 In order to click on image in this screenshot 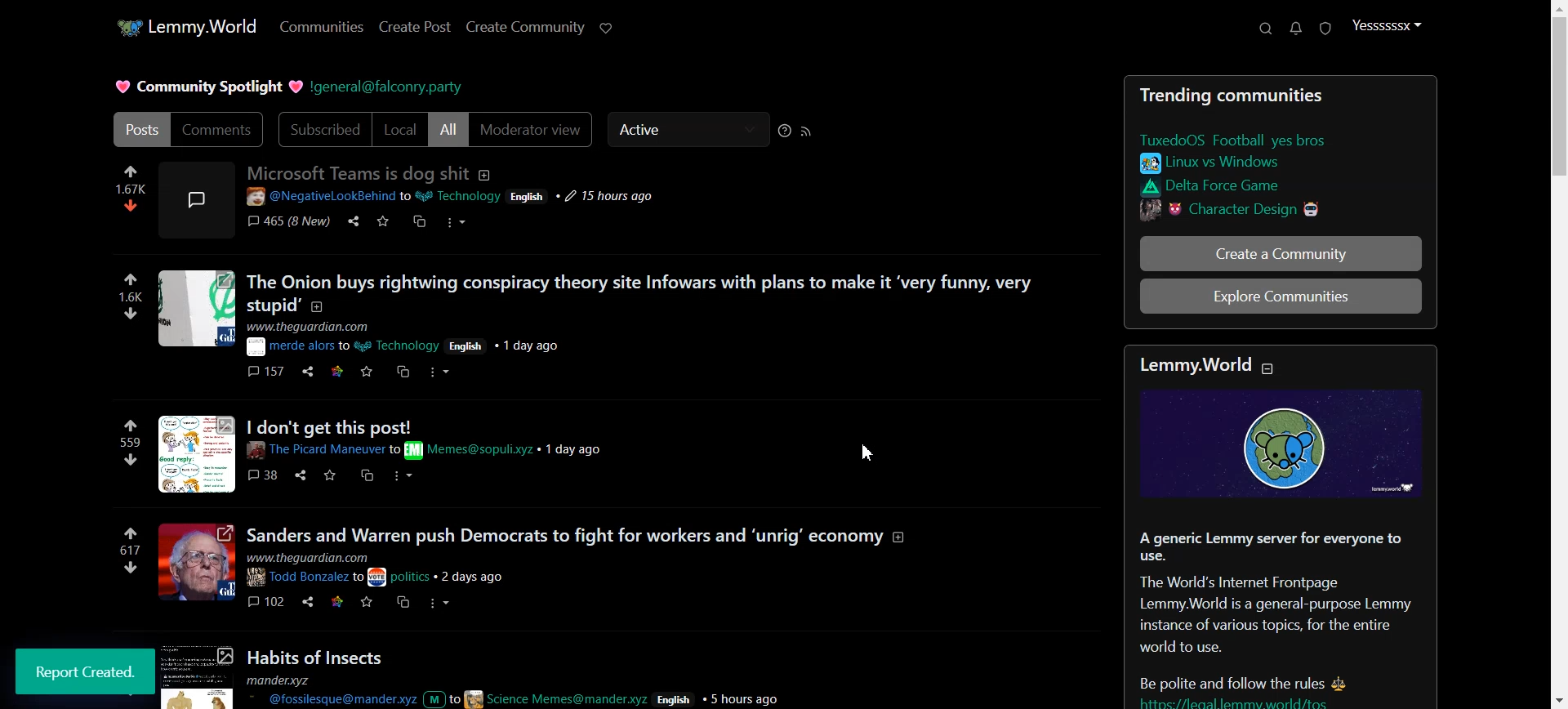, I will do `click(194, 198)`.